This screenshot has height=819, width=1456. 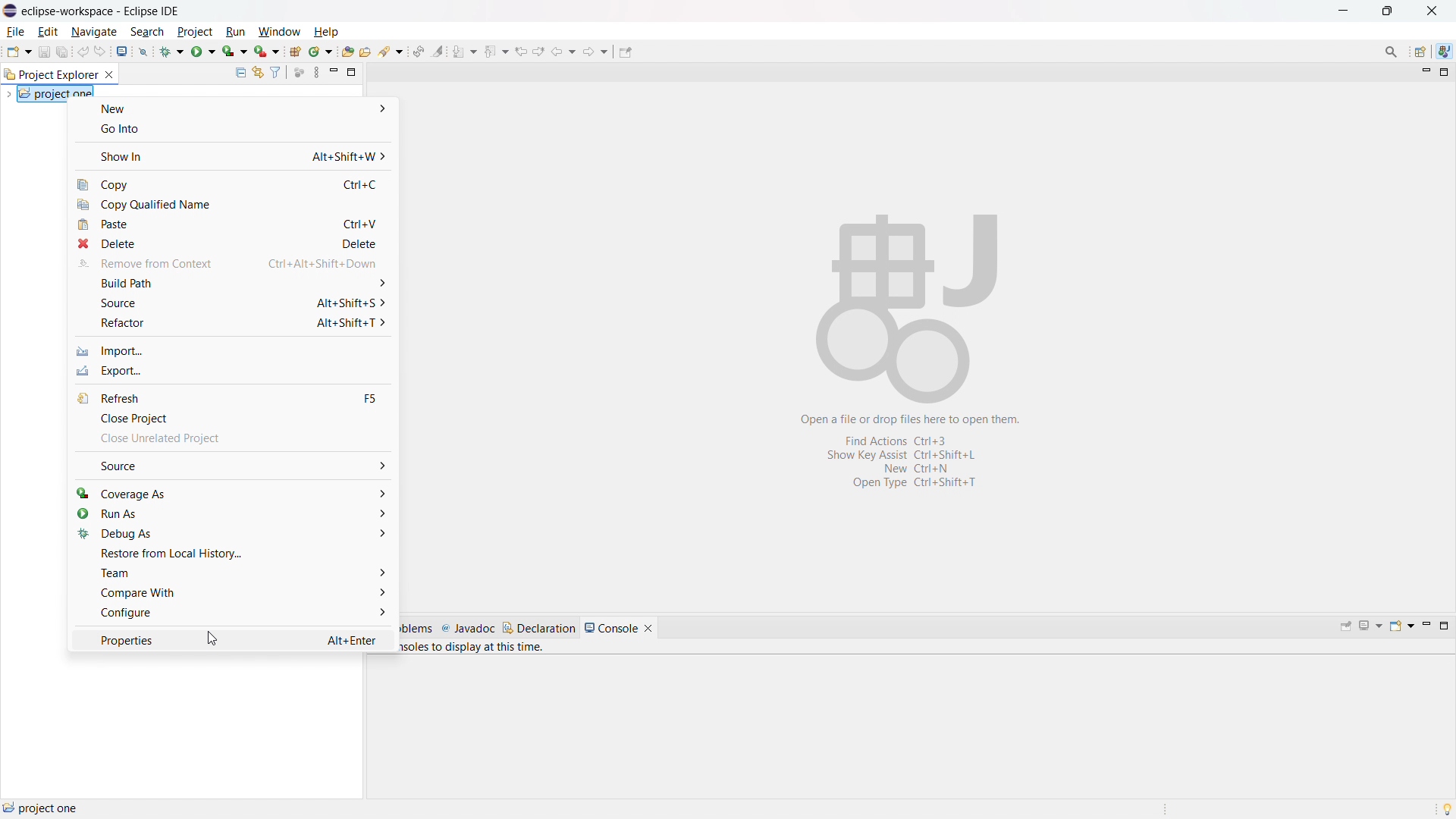 I want to click on help, so click(x=325, y=32).